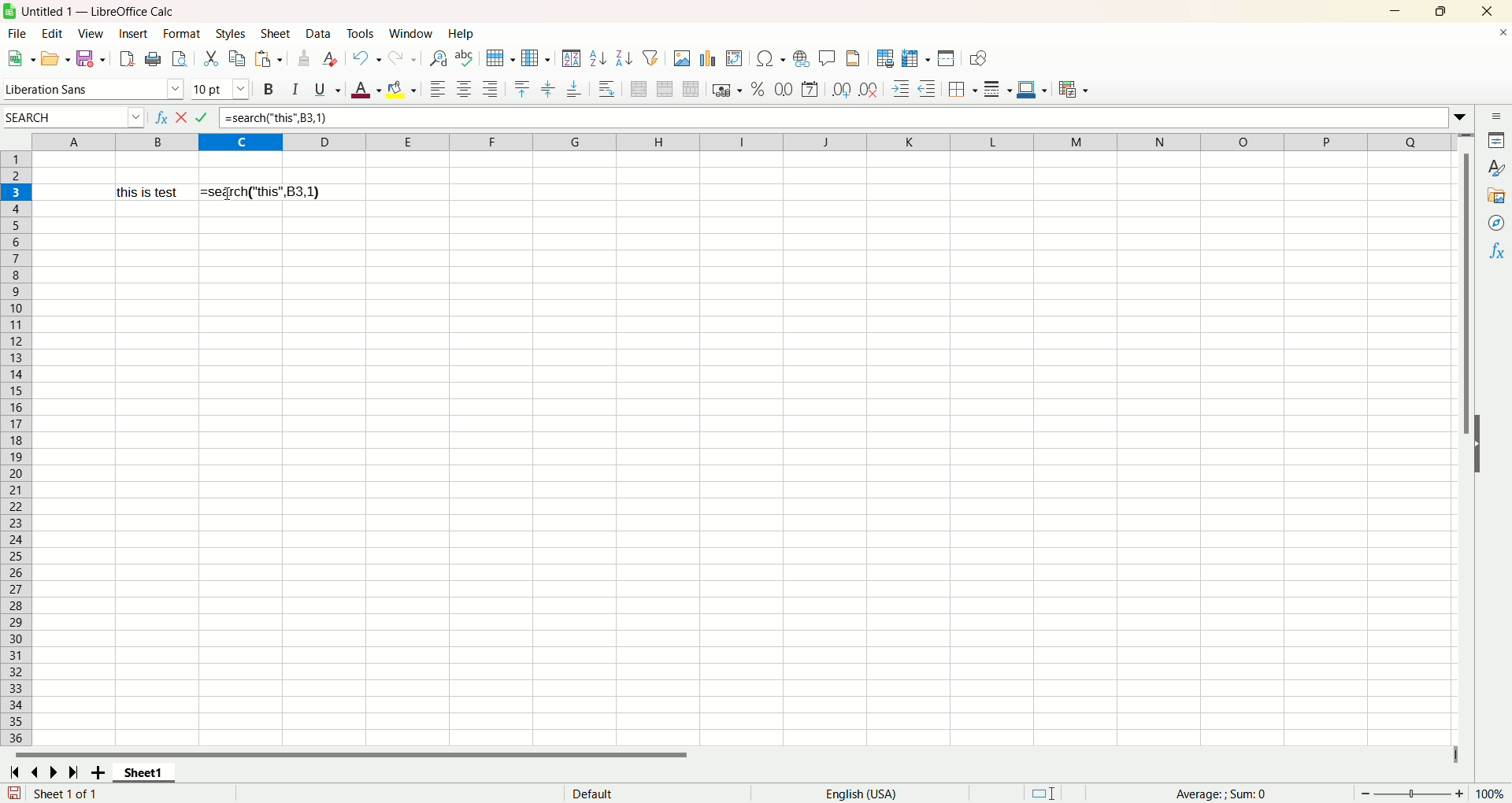  What do you see at coordinates (1045, 792) in the screenshot?
I see `standard selection` at bounding box center [1045, 792].